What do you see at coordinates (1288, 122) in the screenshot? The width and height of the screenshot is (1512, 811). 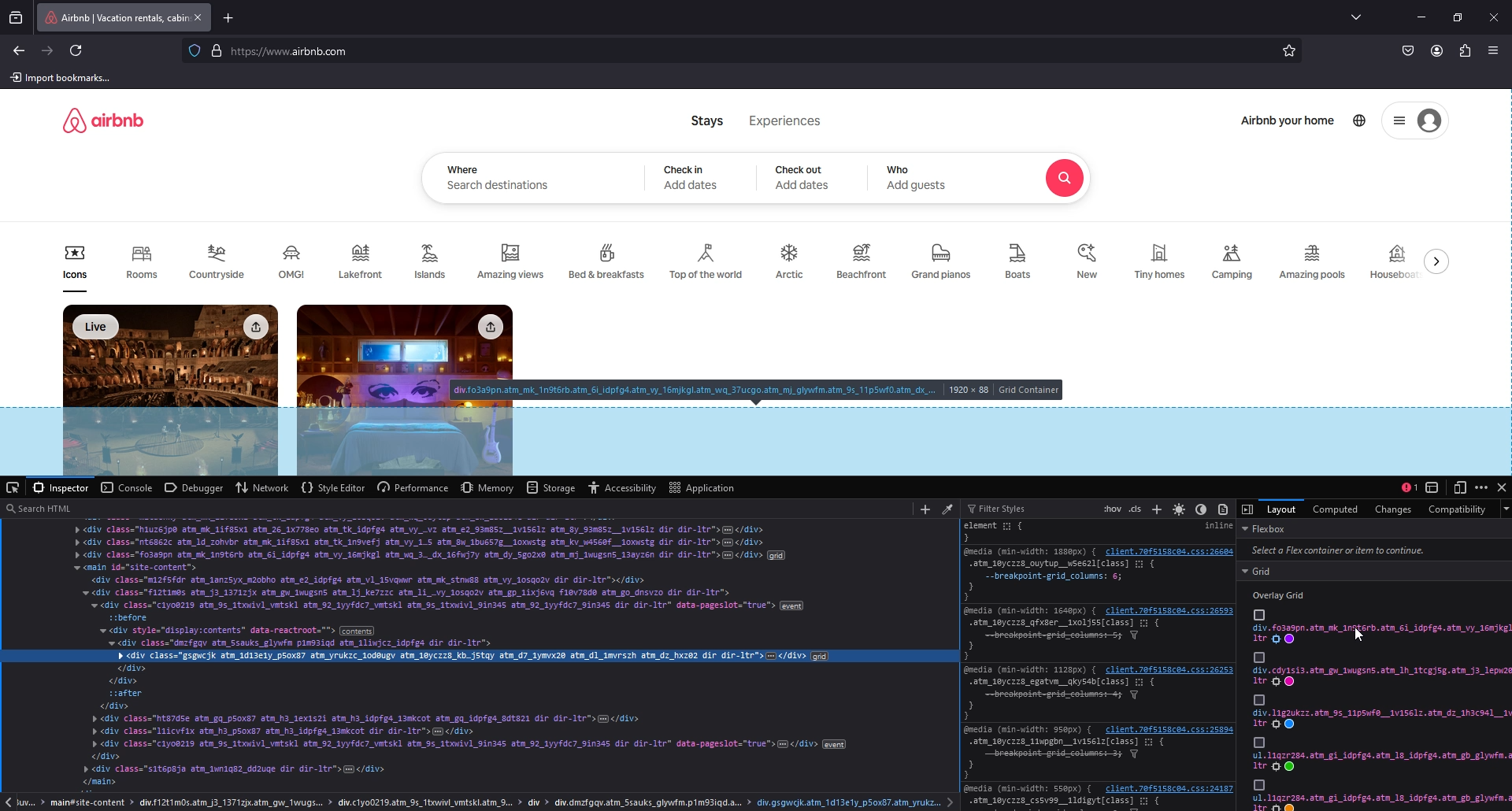 I see `Airbnb your home` at bounding box center [1288, 122].